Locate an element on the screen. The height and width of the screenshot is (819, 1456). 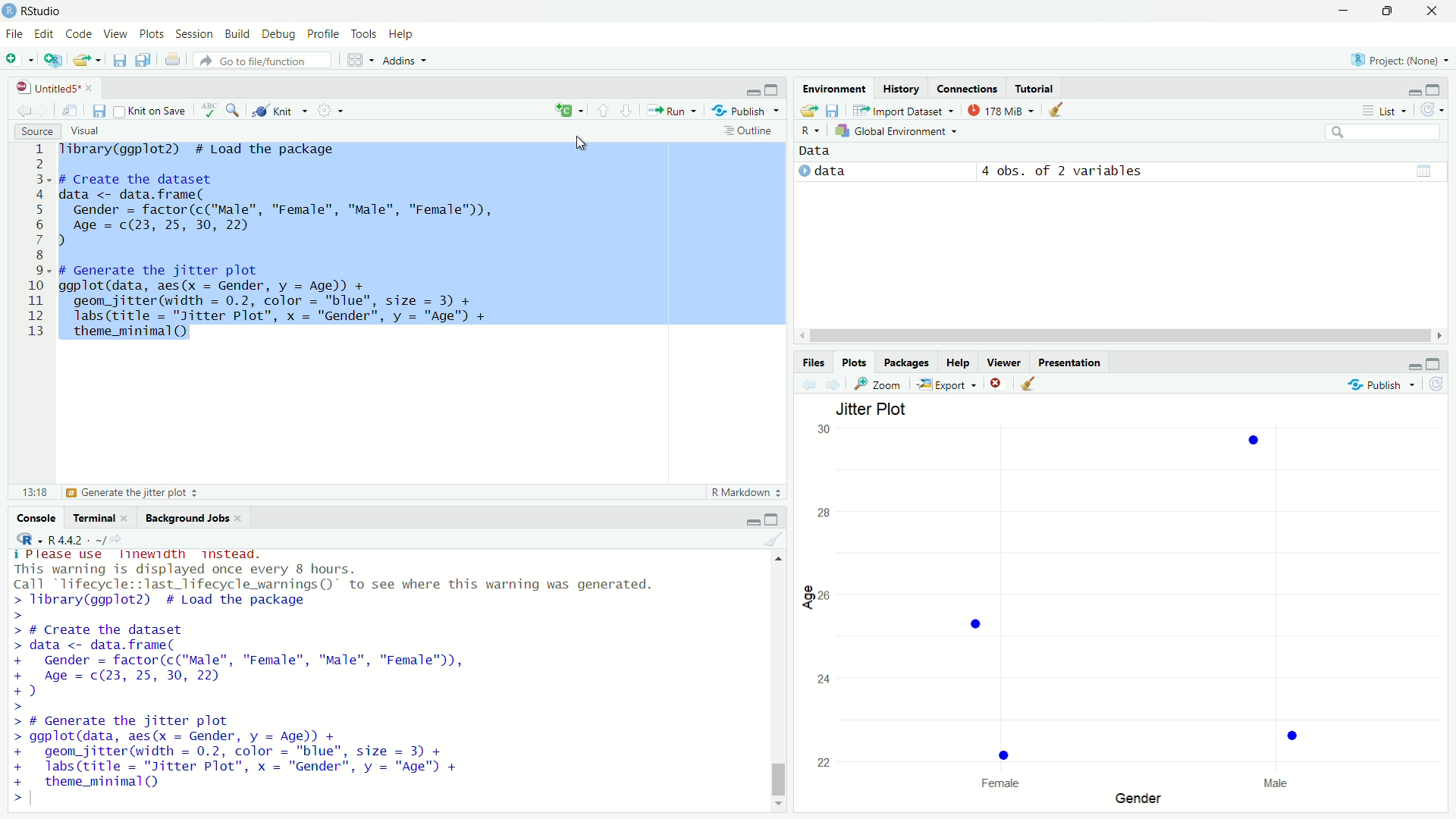
addins is located at coordinates (405, 60).